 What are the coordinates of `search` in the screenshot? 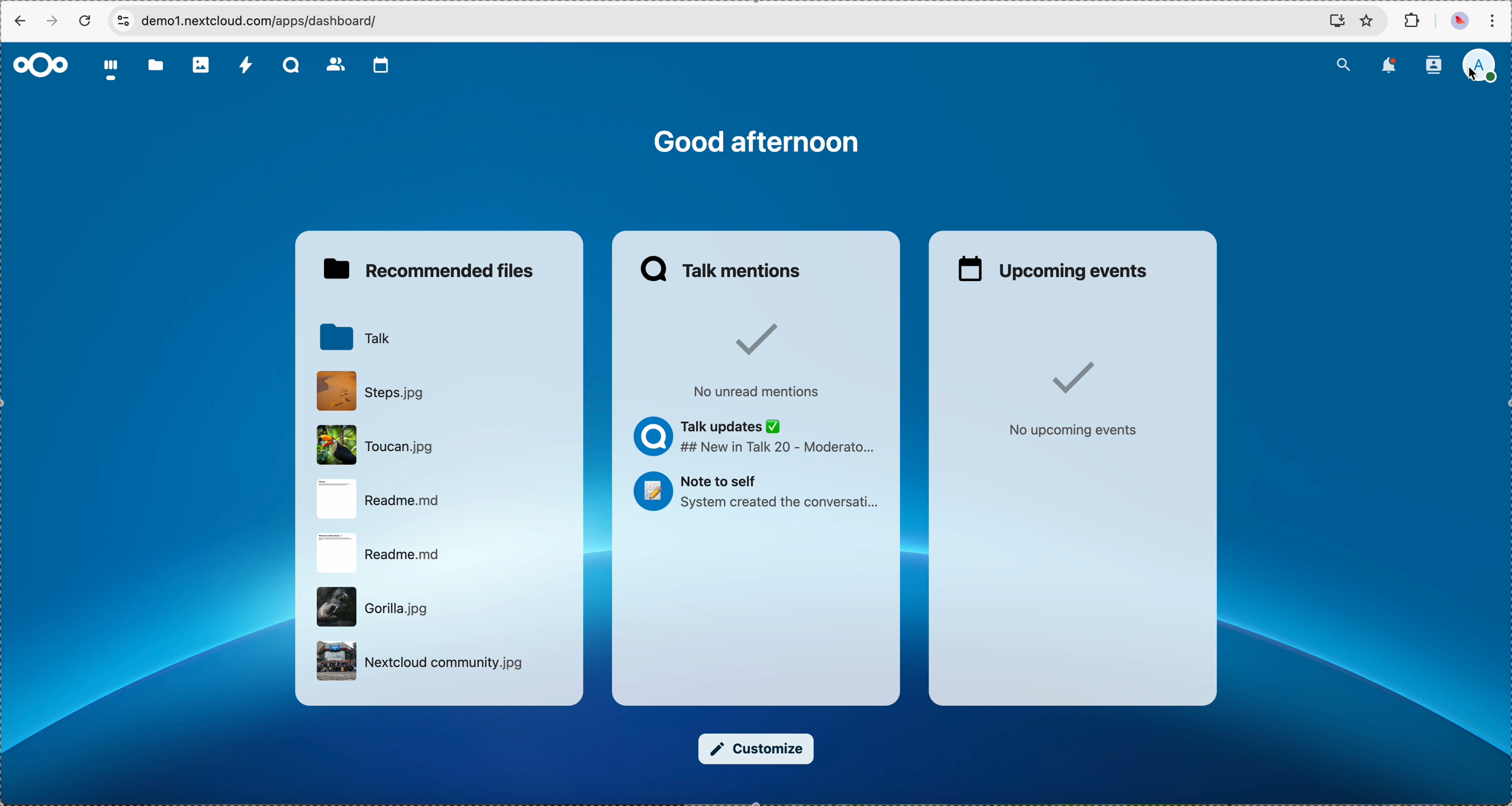 It's located at (1343, 63).